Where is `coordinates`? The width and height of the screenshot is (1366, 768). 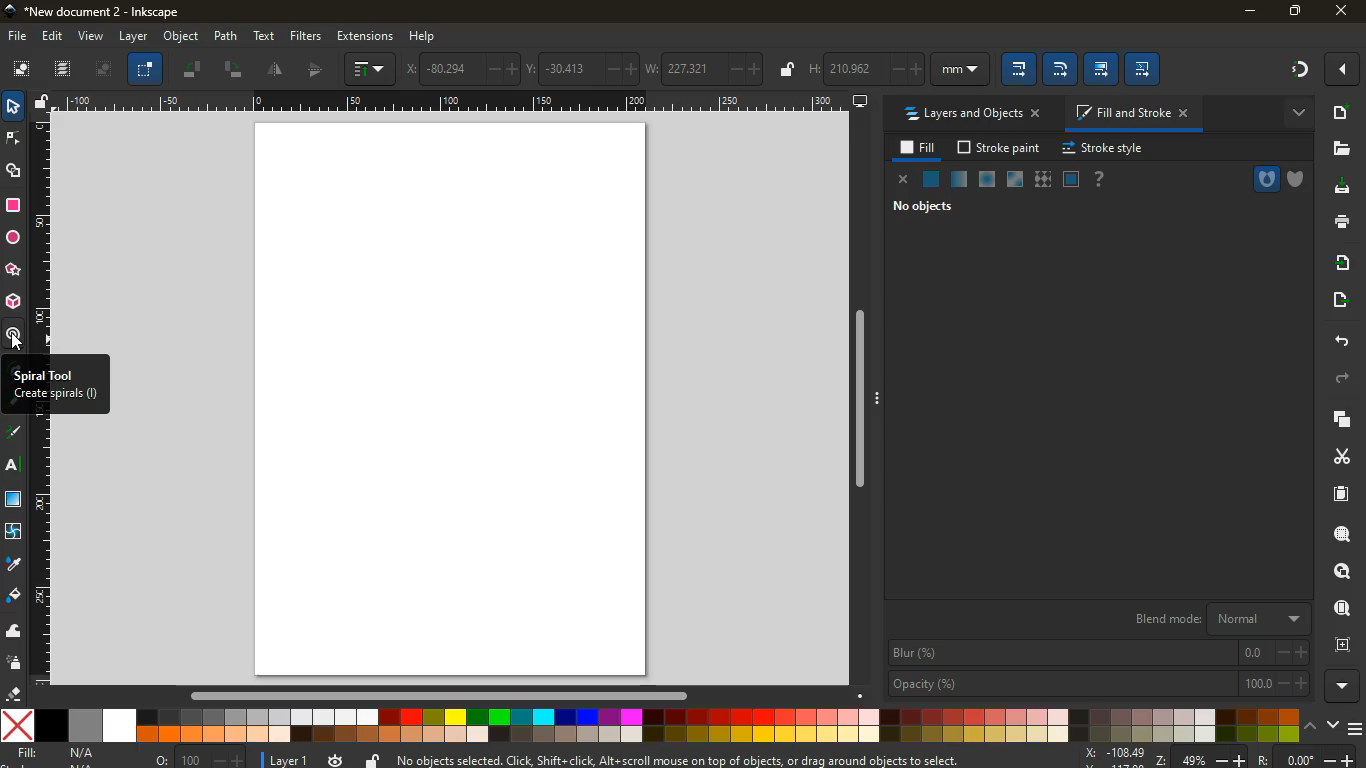
coordinates is located at coordinates (587, 68).